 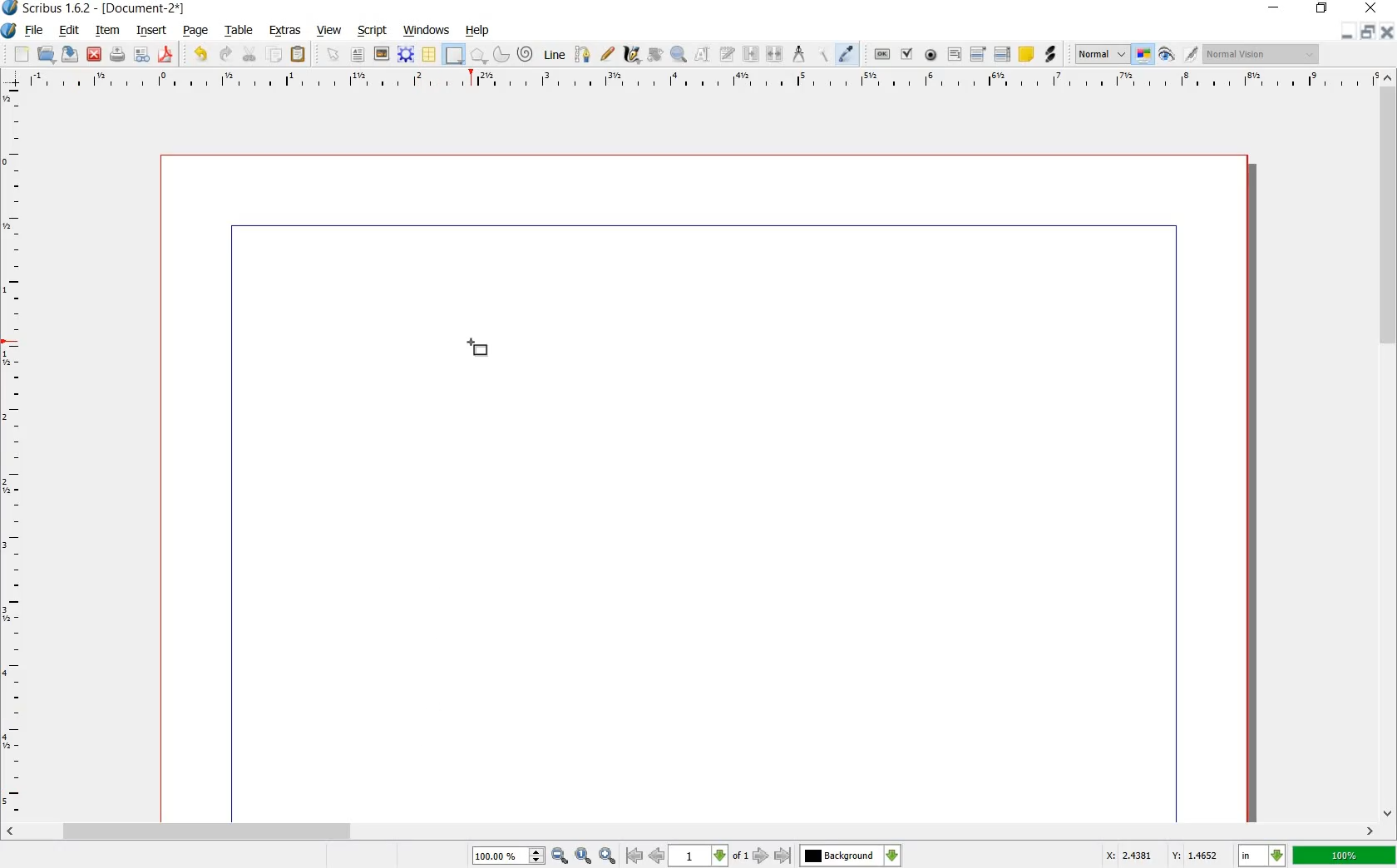 I want to click on PDF PUSH BUTTON, so click(x=879, y=54).